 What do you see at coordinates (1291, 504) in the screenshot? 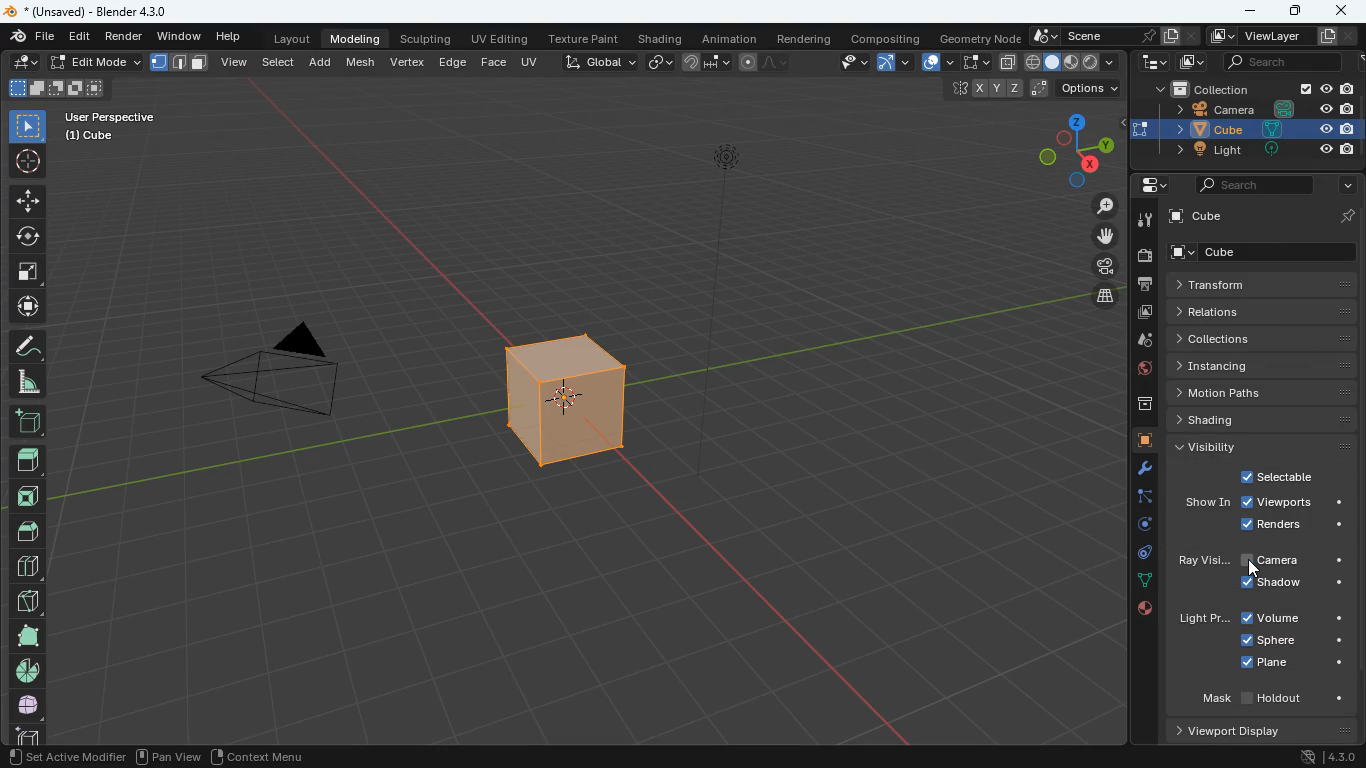
I see `view ports` at bounding box center [1291, 504].